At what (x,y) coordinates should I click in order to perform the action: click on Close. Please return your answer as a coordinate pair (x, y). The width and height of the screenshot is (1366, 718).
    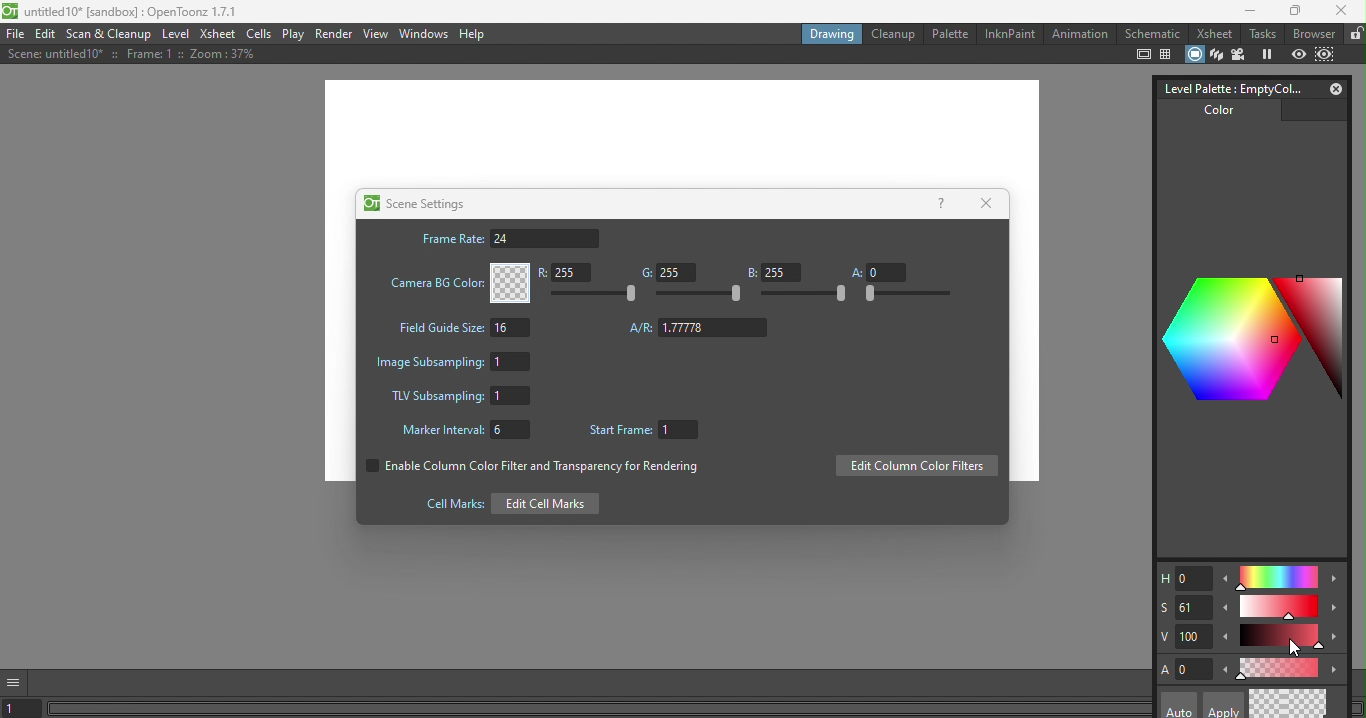
    Looking at the image, I should click on (1332, 88).